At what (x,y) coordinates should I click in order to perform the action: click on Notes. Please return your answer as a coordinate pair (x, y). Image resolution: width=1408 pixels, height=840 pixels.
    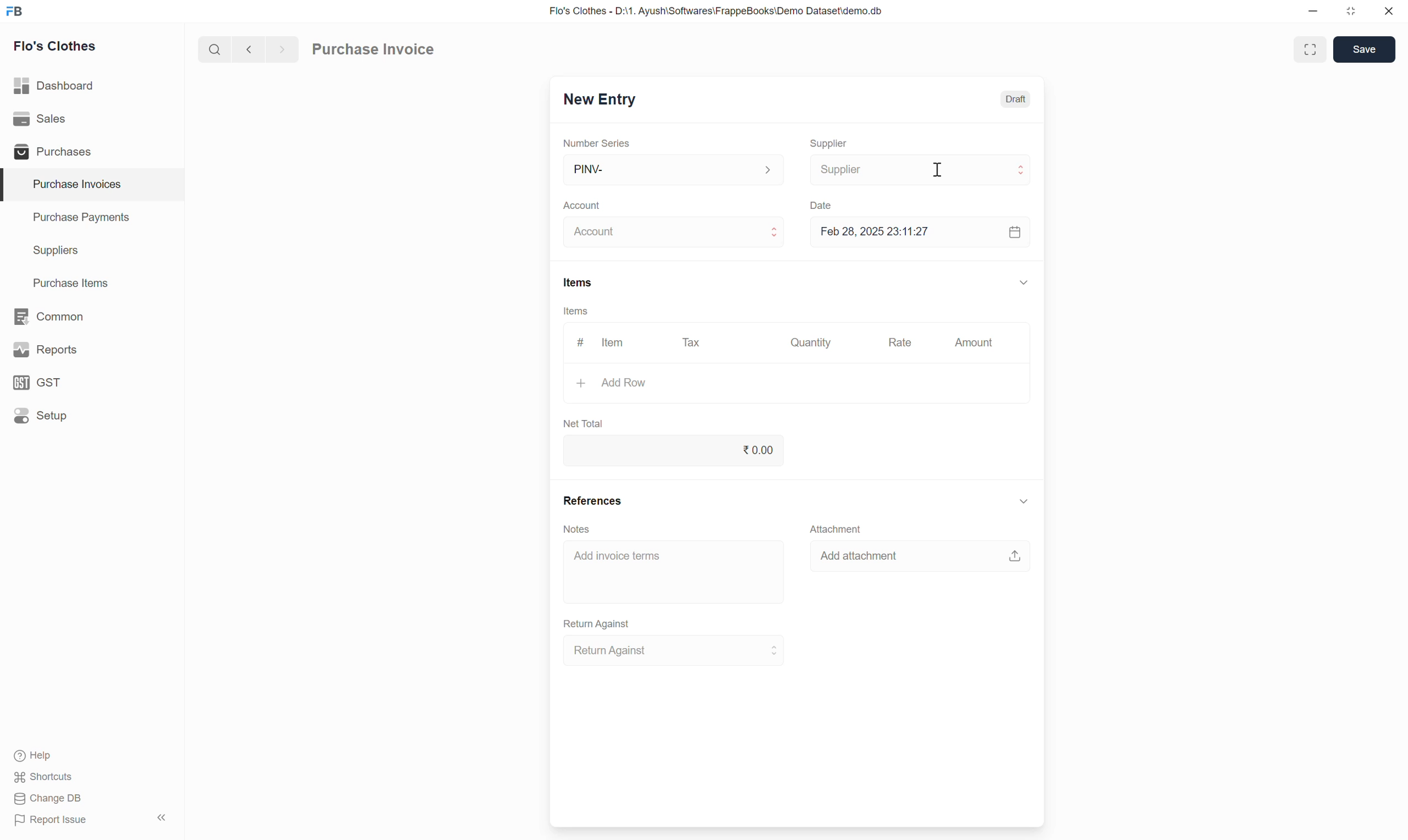
    Looking at the image, I should click on (576, 529).